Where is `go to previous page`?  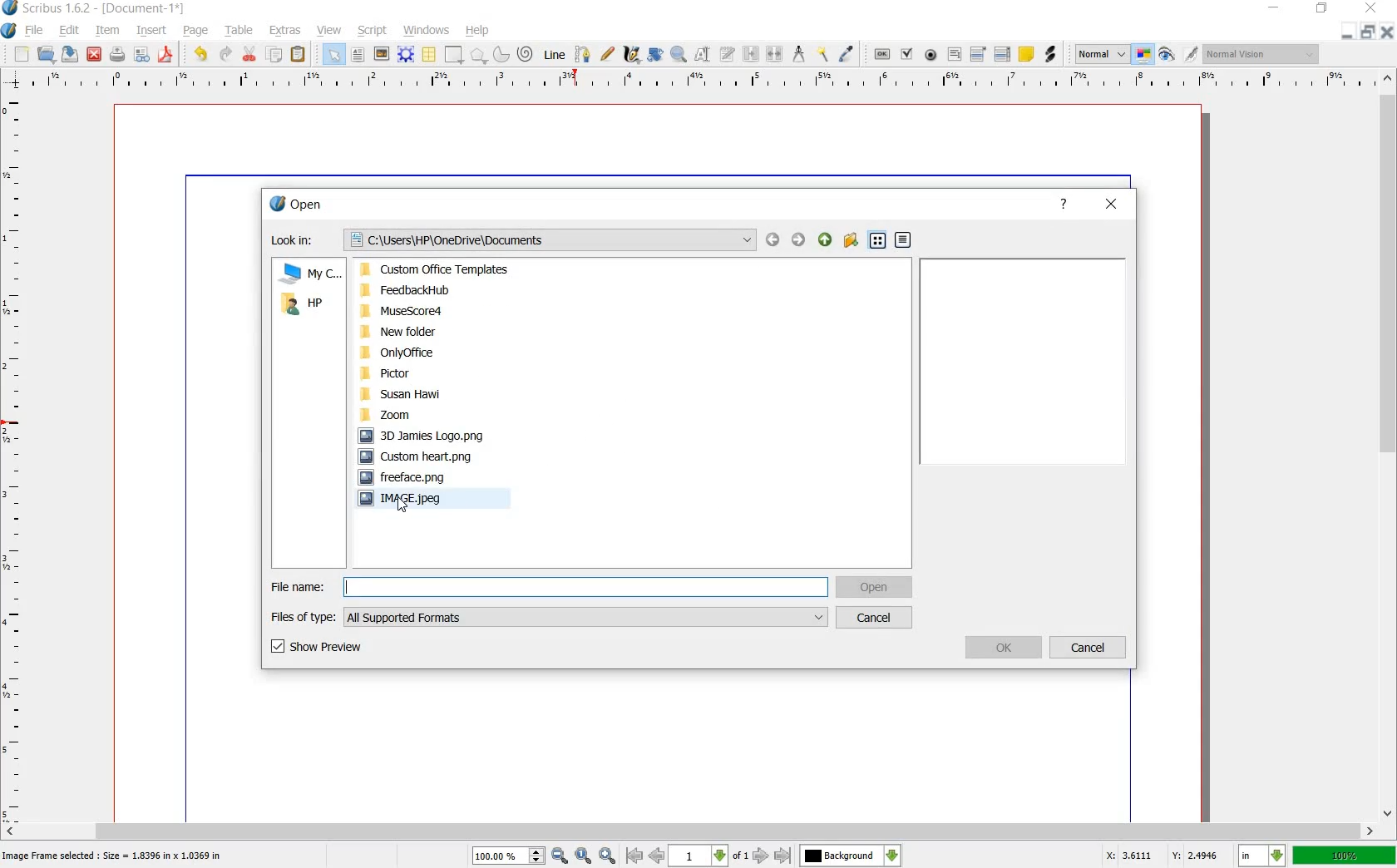 go to previous page is located at coordinates (656, 855).